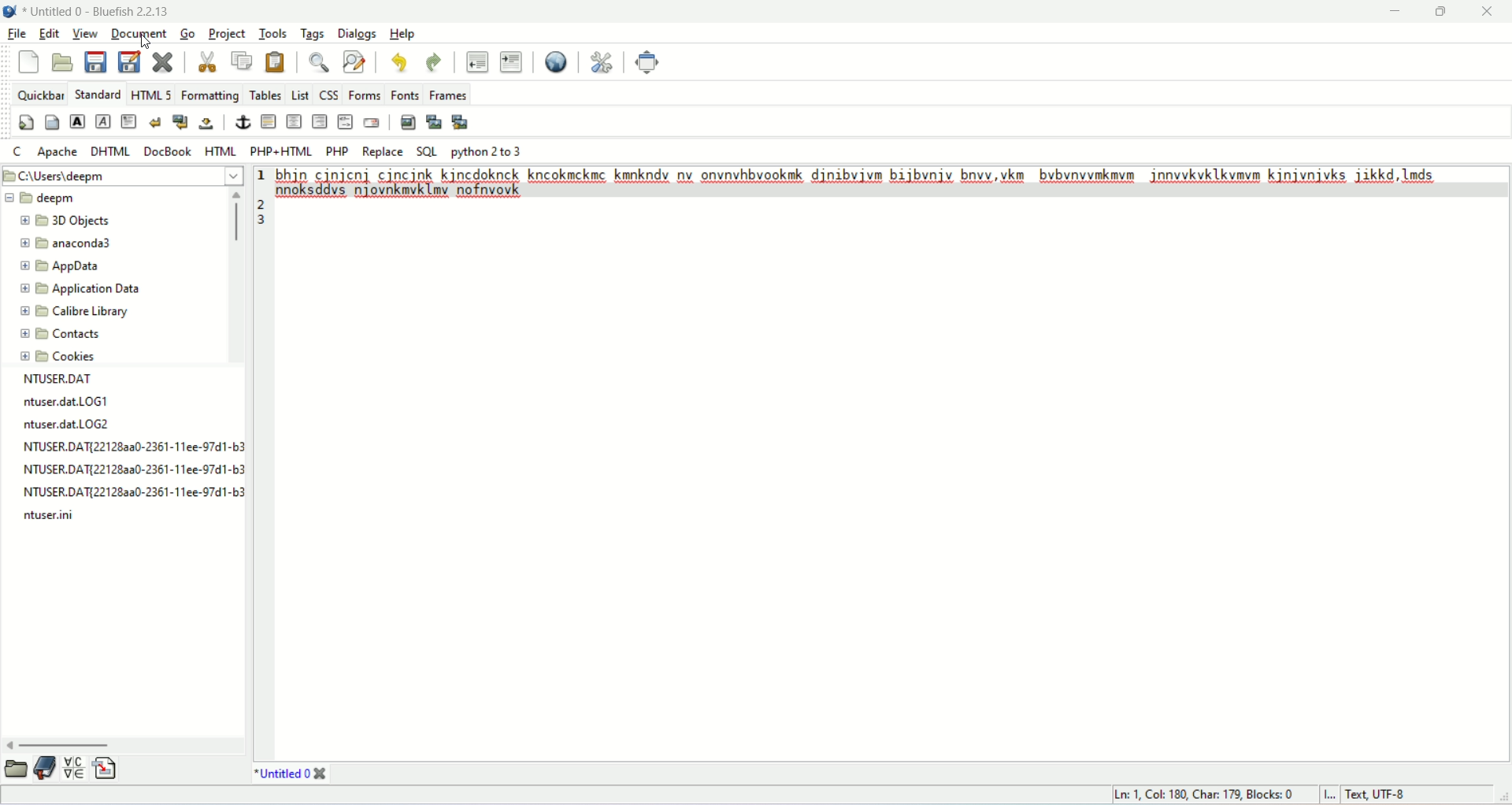  I want to click on email, so click(372, 123).